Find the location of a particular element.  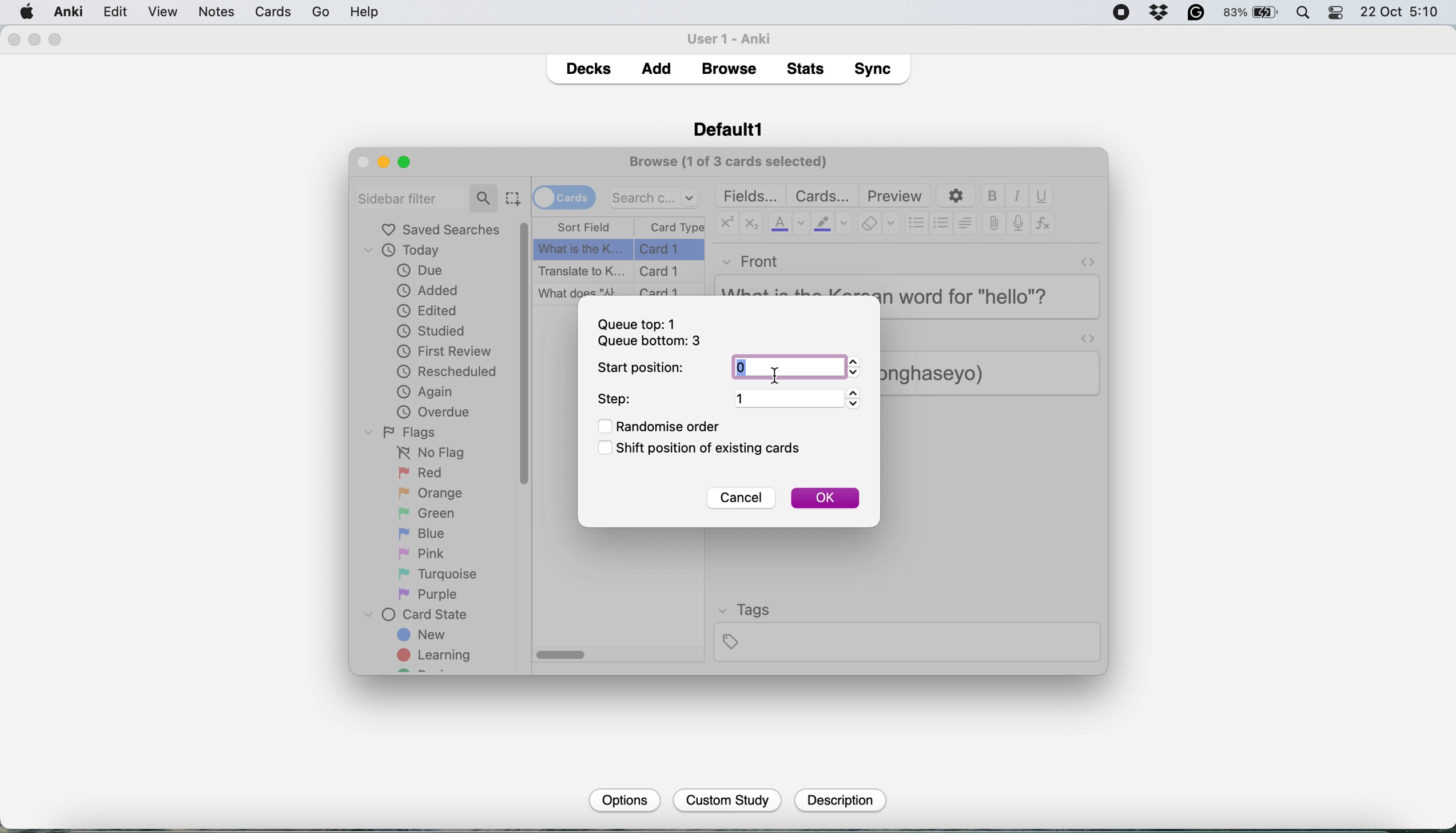

bullet list is located at coordinates (917, 224).